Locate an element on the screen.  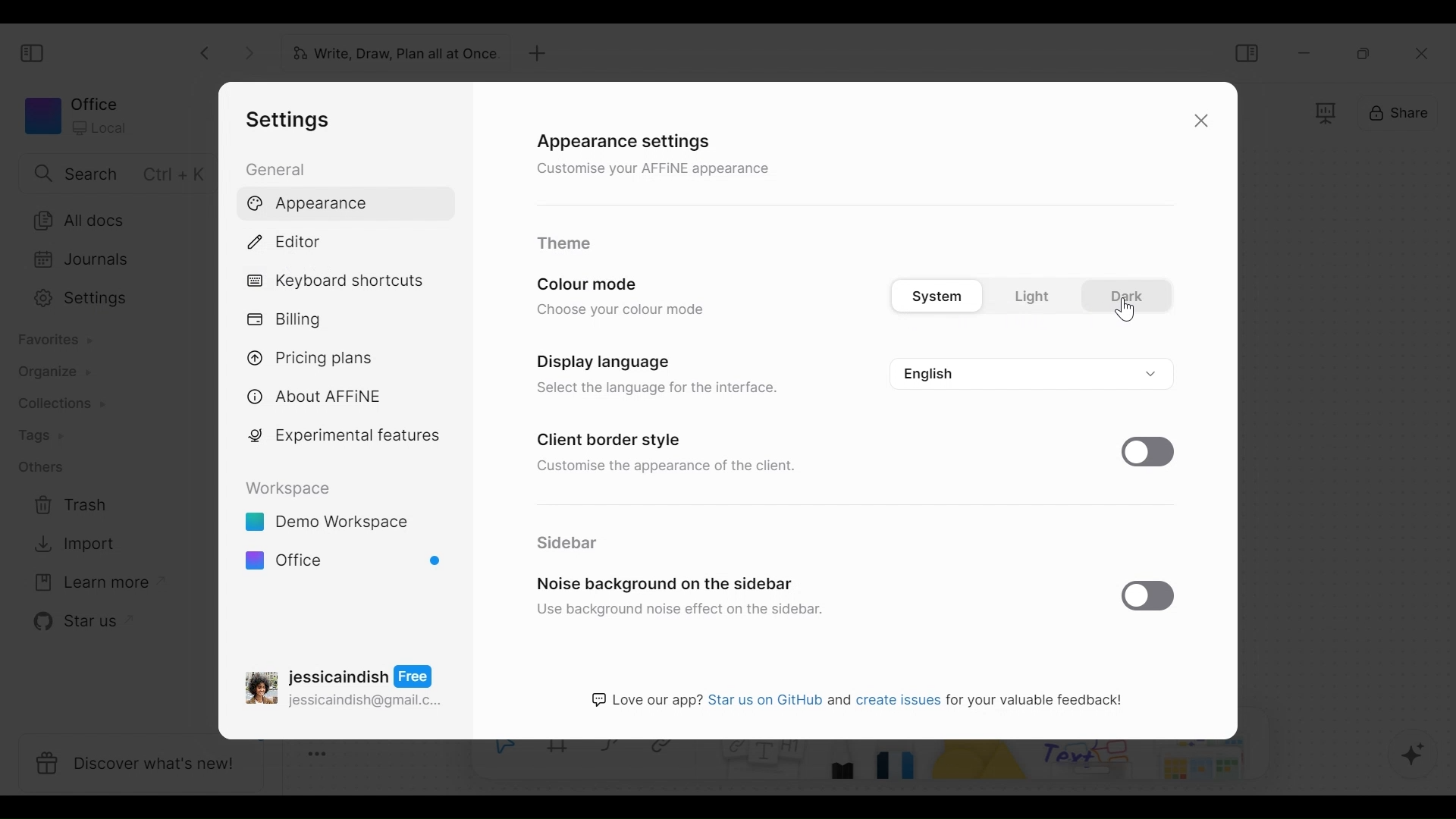
minimize is located at coordinates (1305, 52).